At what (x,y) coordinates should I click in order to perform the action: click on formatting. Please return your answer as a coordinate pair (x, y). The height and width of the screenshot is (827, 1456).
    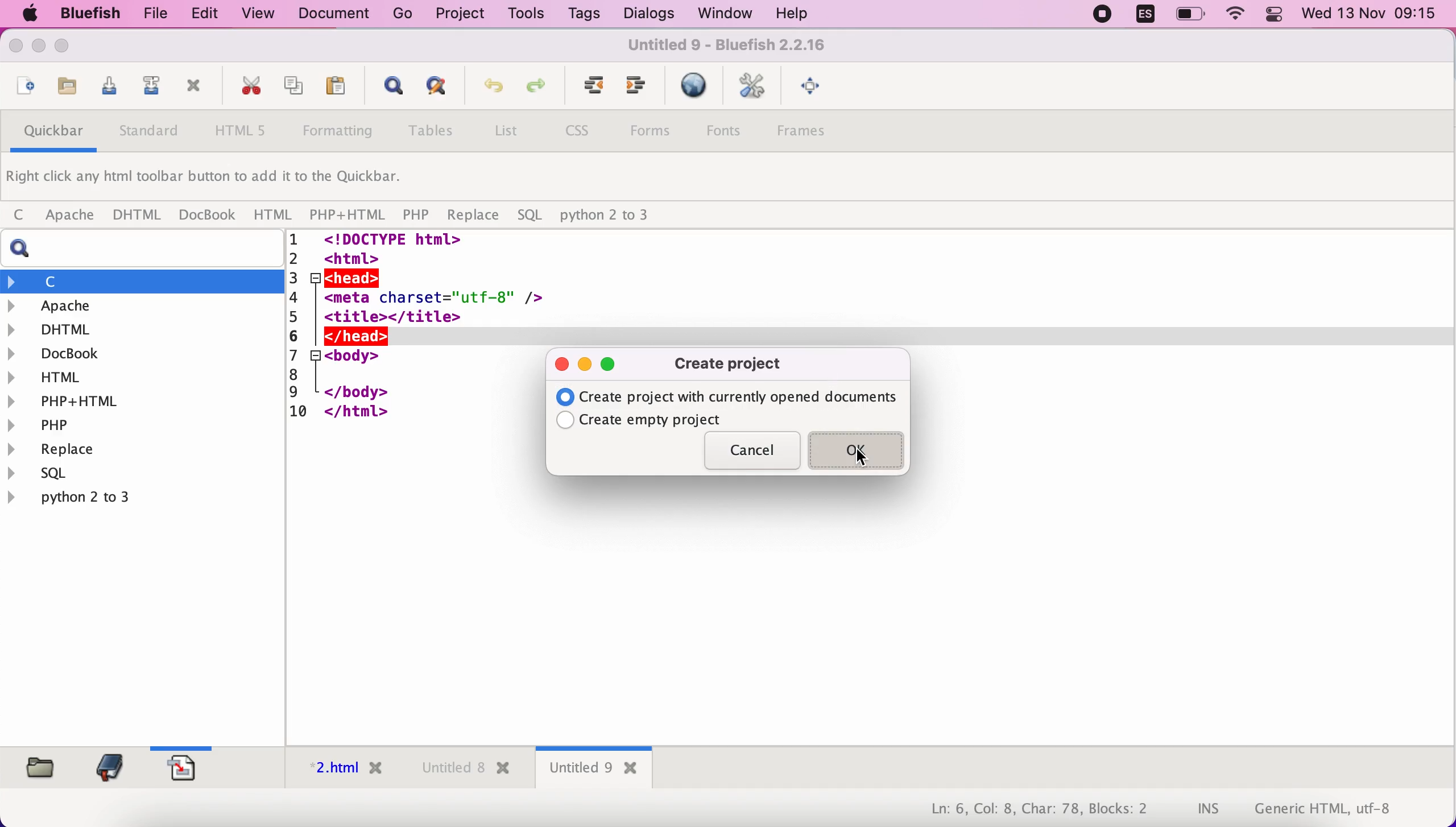
    Looking at the image, I should click on (340, 133).